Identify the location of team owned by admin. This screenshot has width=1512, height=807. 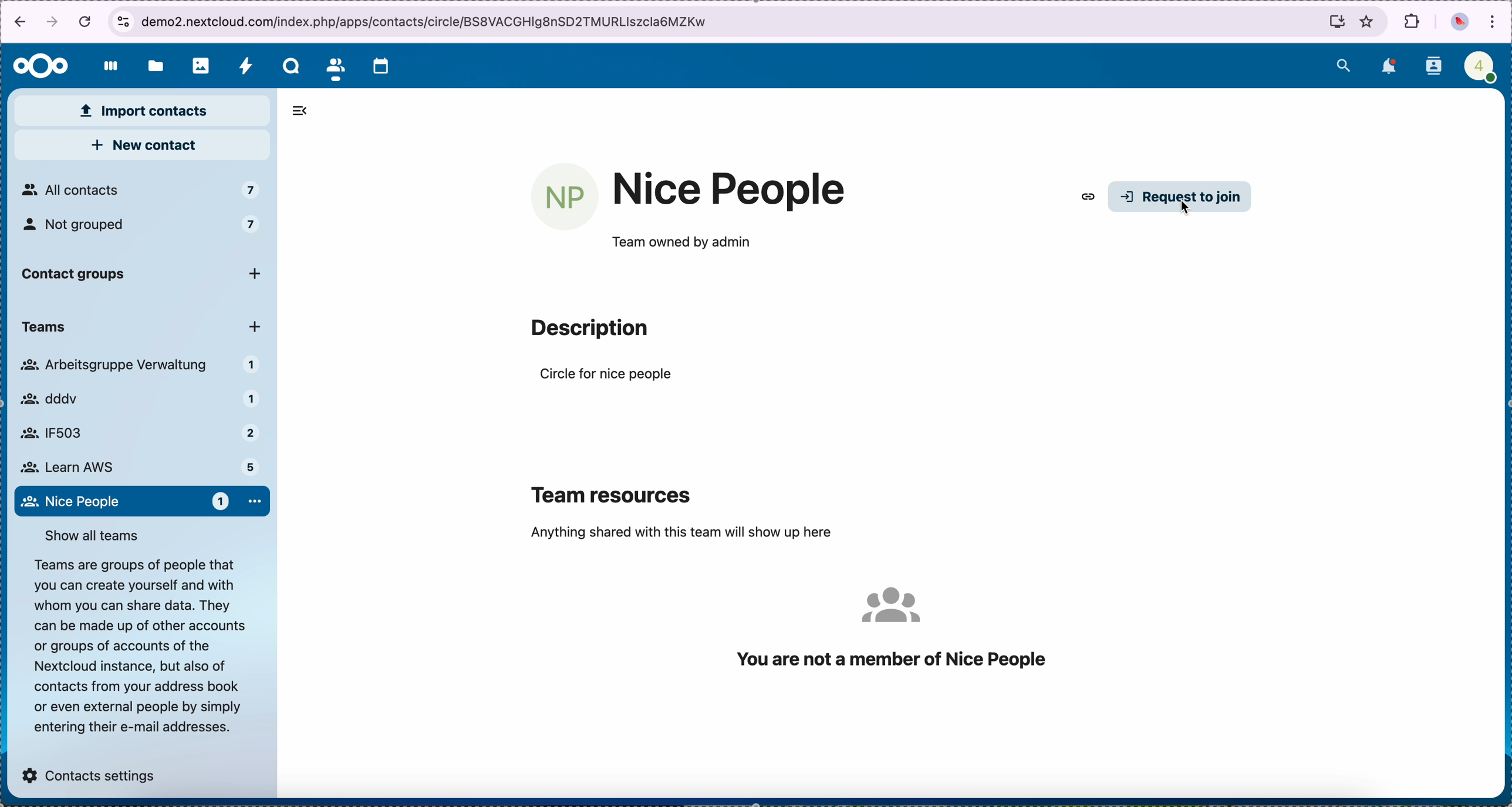
(680, 243).